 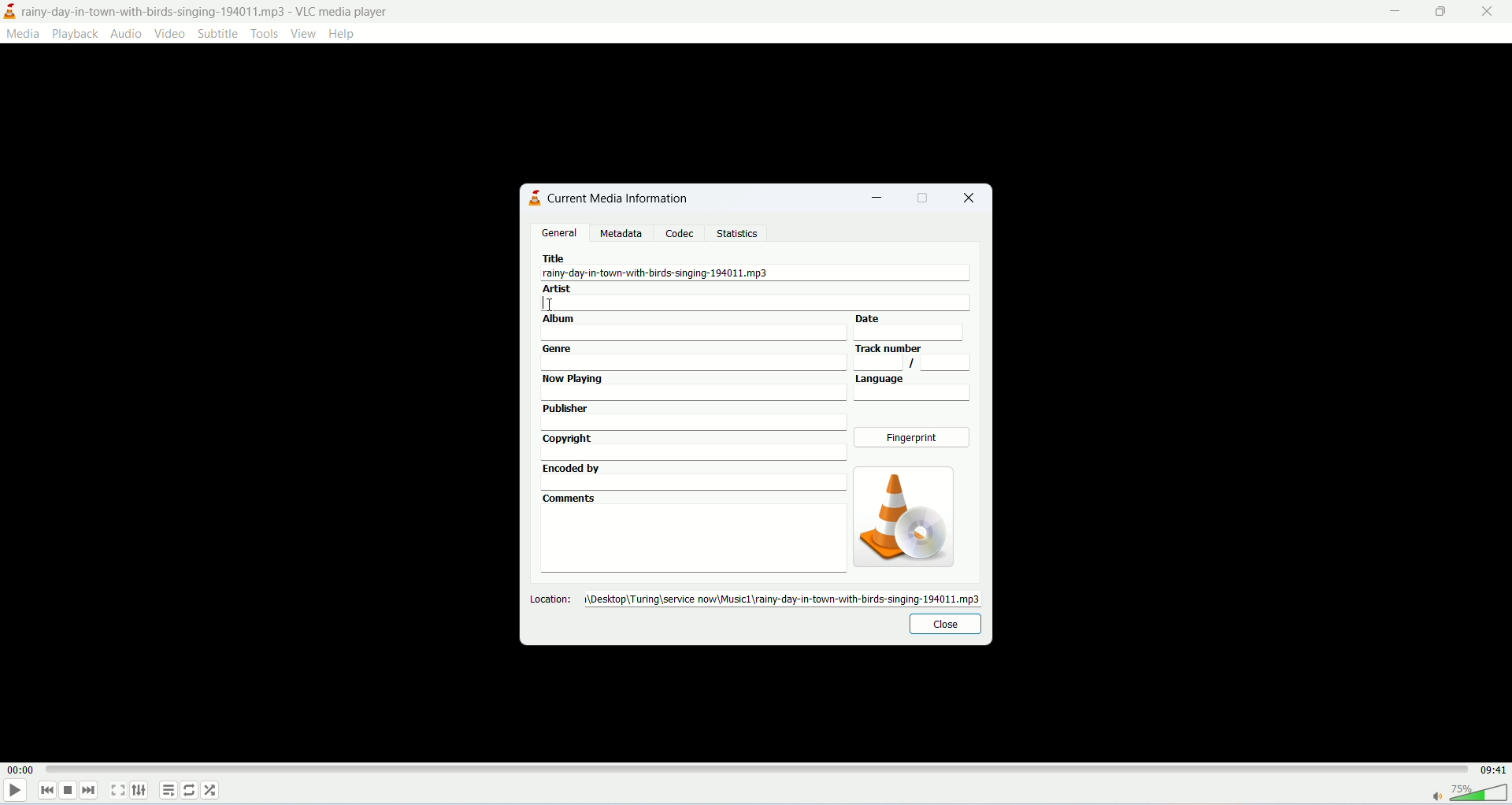 I want to click on played time, so click(x=20, y=771).